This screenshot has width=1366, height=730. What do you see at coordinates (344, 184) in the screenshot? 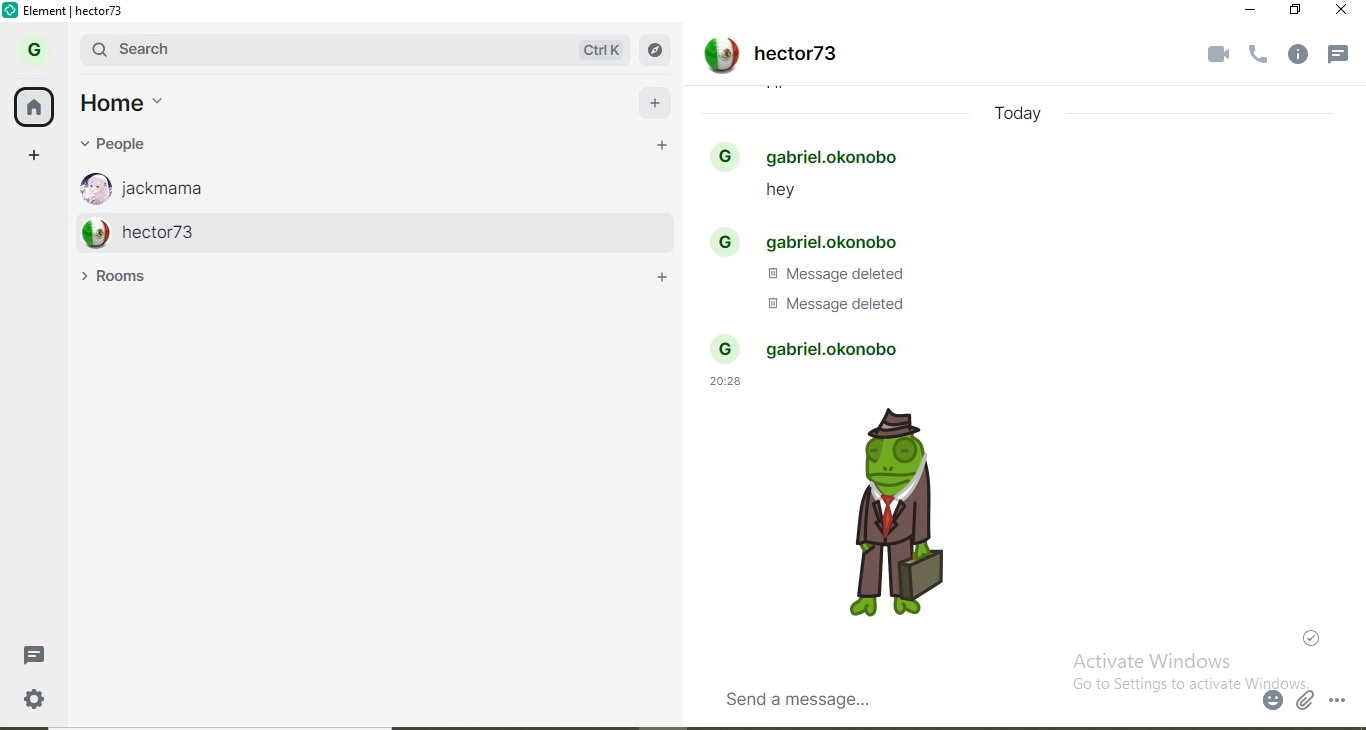
I see `jackmama` at bounding box center [344, 184].